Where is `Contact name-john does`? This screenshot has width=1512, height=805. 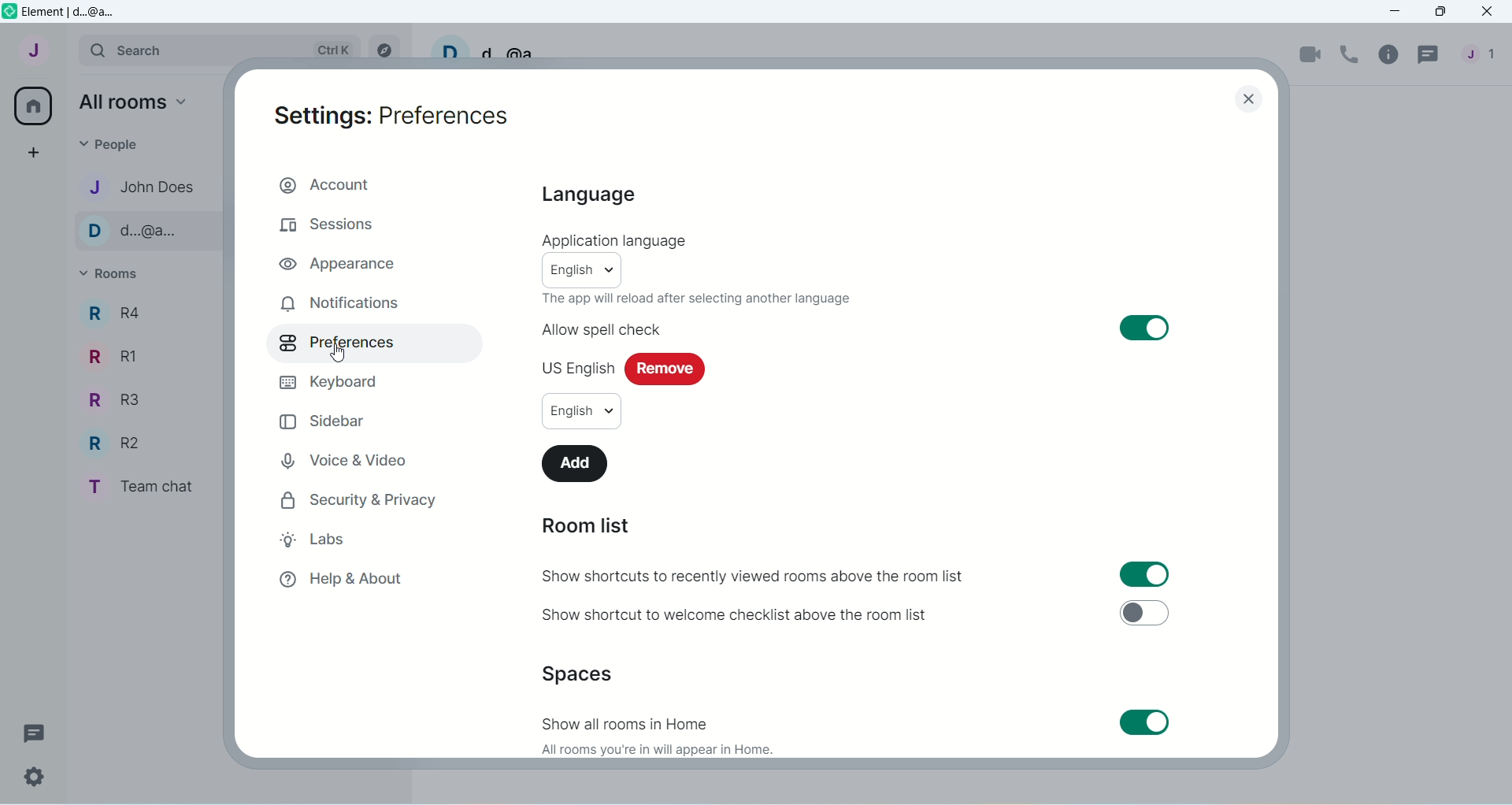
Contact name-john does is located at coordinates (145, 187).